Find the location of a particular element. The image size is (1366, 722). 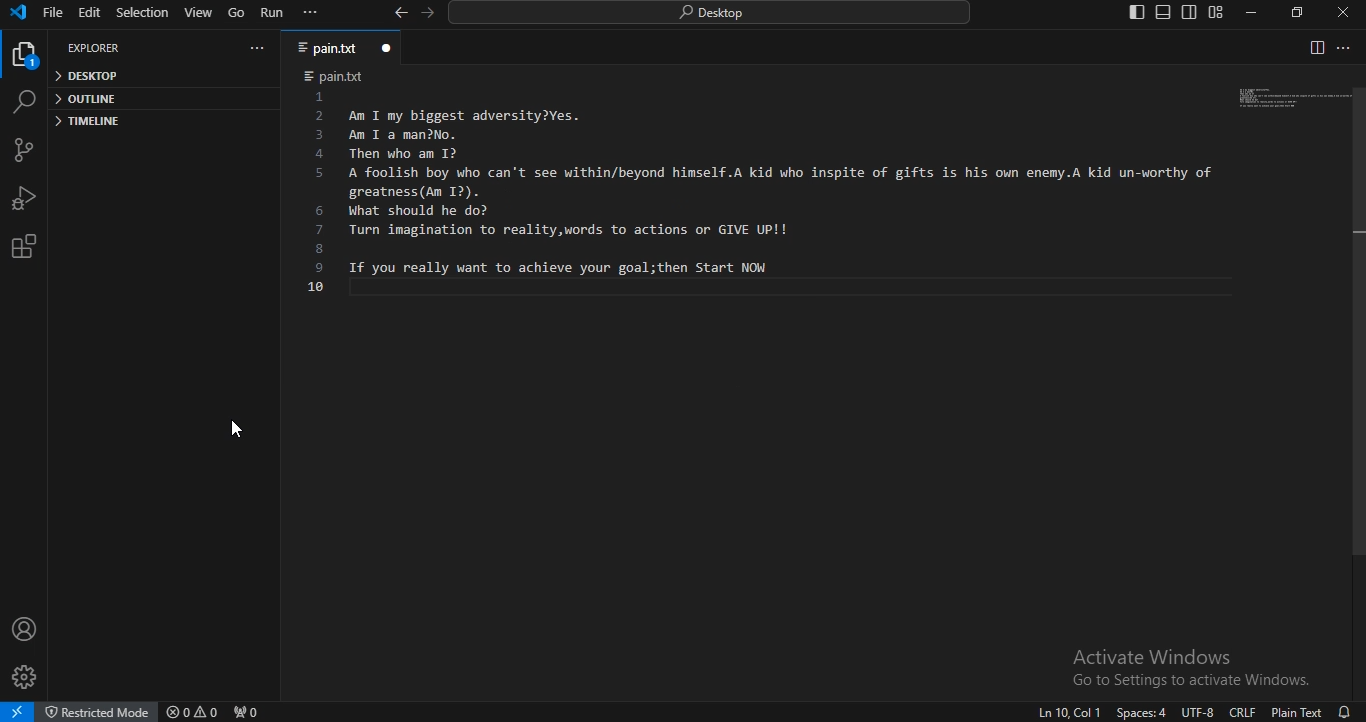

minimize is located at coordinates (1250, 13).